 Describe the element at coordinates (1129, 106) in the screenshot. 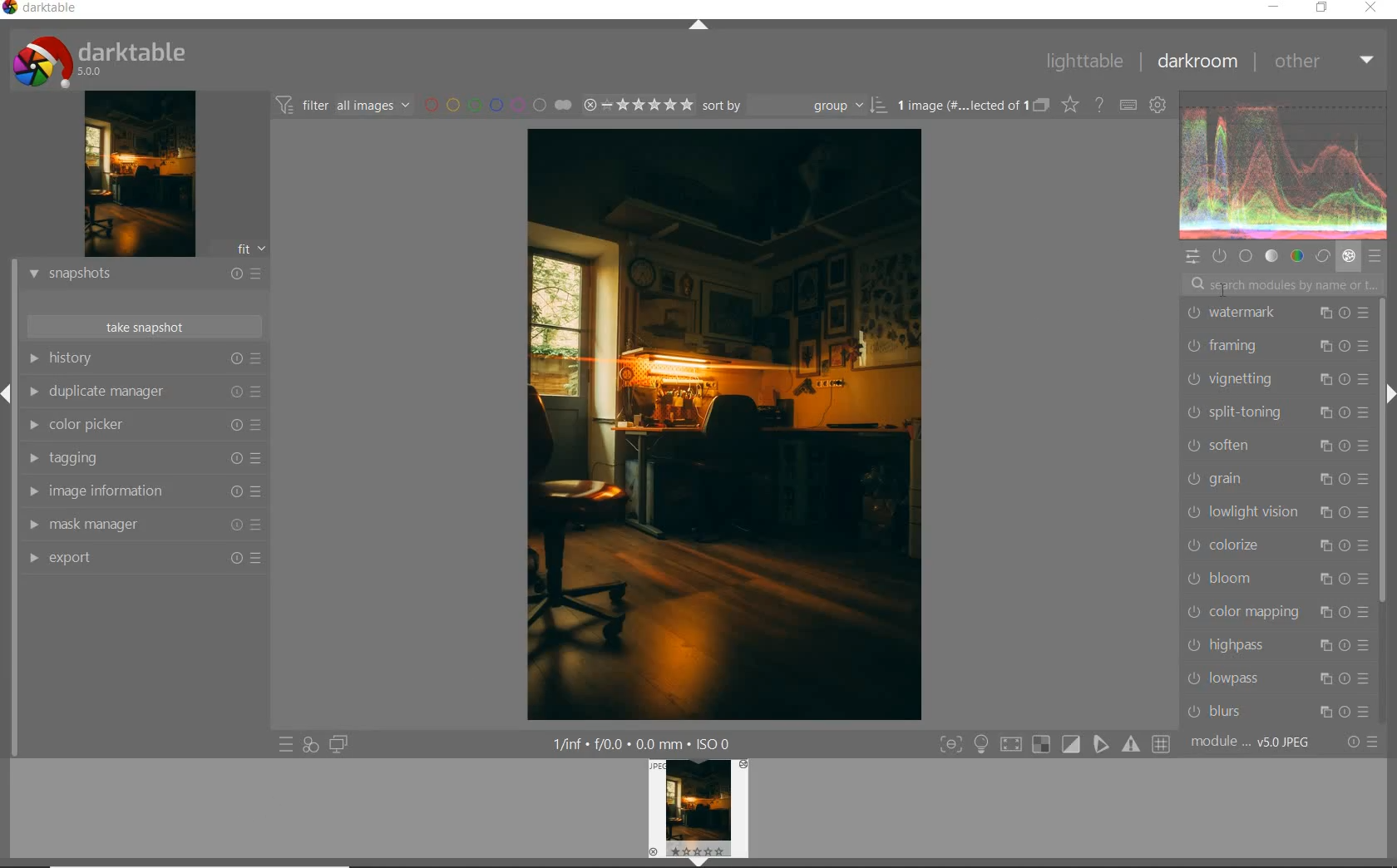

I see `set keyboard shortcuts` at that location.